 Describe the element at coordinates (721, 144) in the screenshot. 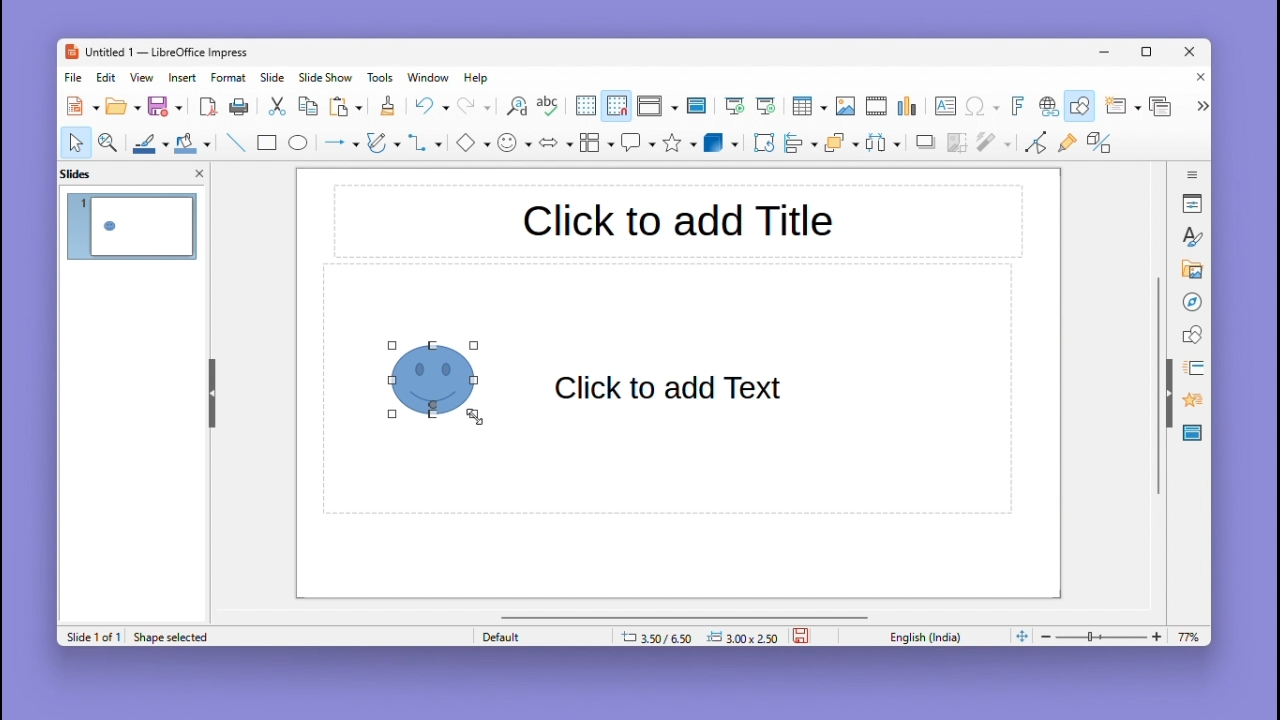

I see `Cuboid` at that location.